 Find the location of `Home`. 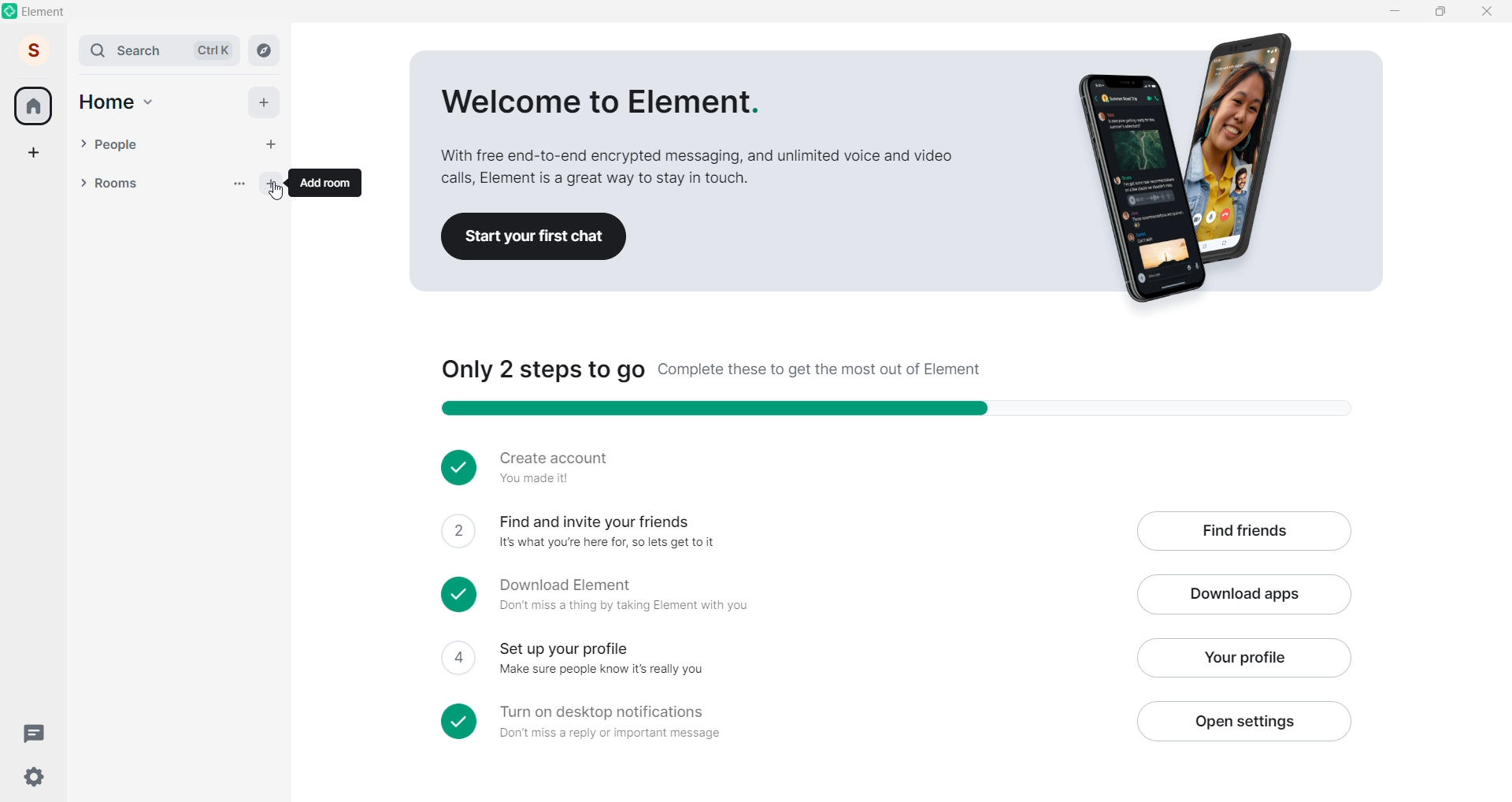

Home is located at coordinates (33, 106).